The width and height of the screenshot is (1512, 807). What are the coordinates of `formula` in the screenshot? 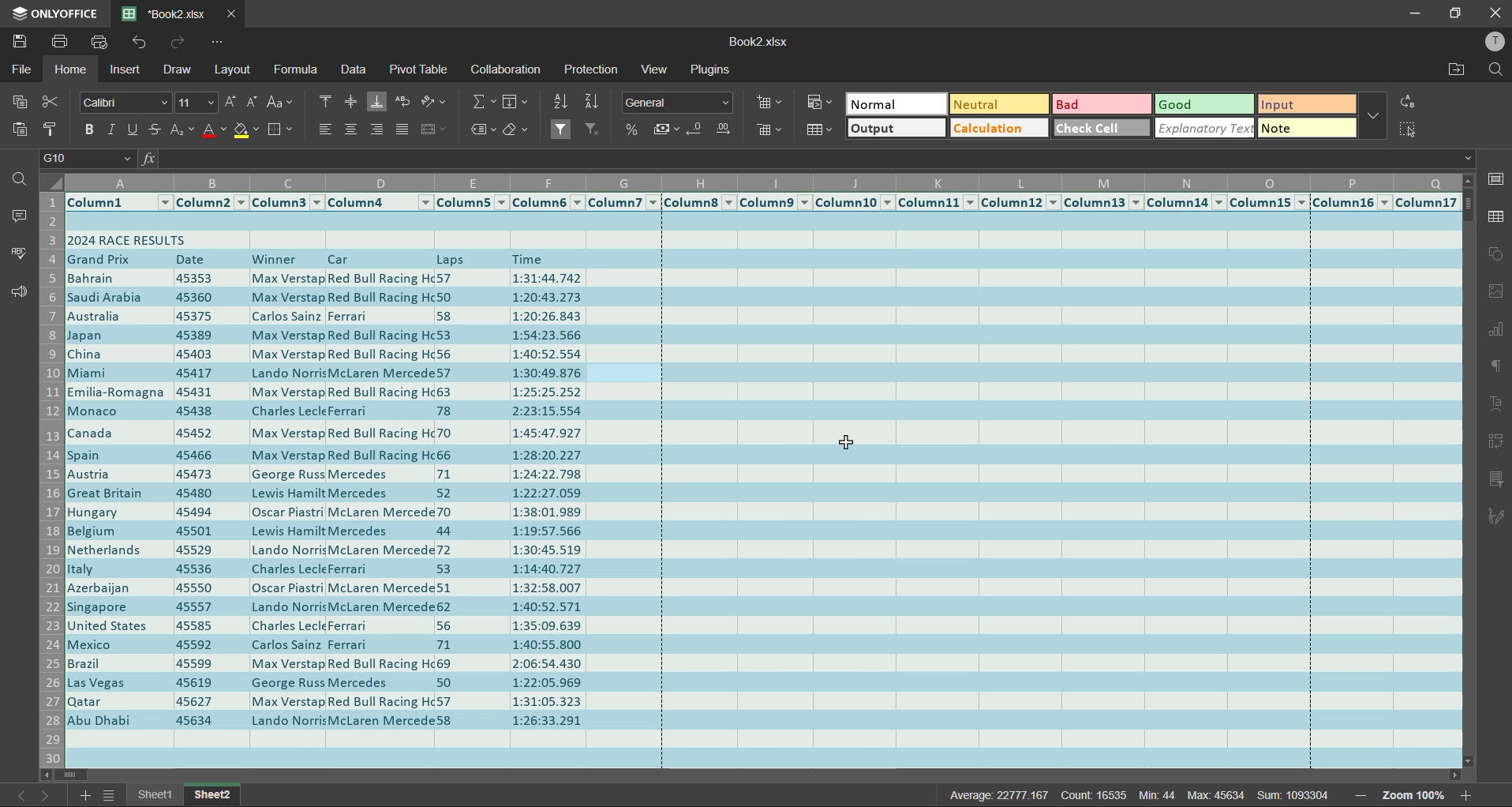 It's located at (296, 69).